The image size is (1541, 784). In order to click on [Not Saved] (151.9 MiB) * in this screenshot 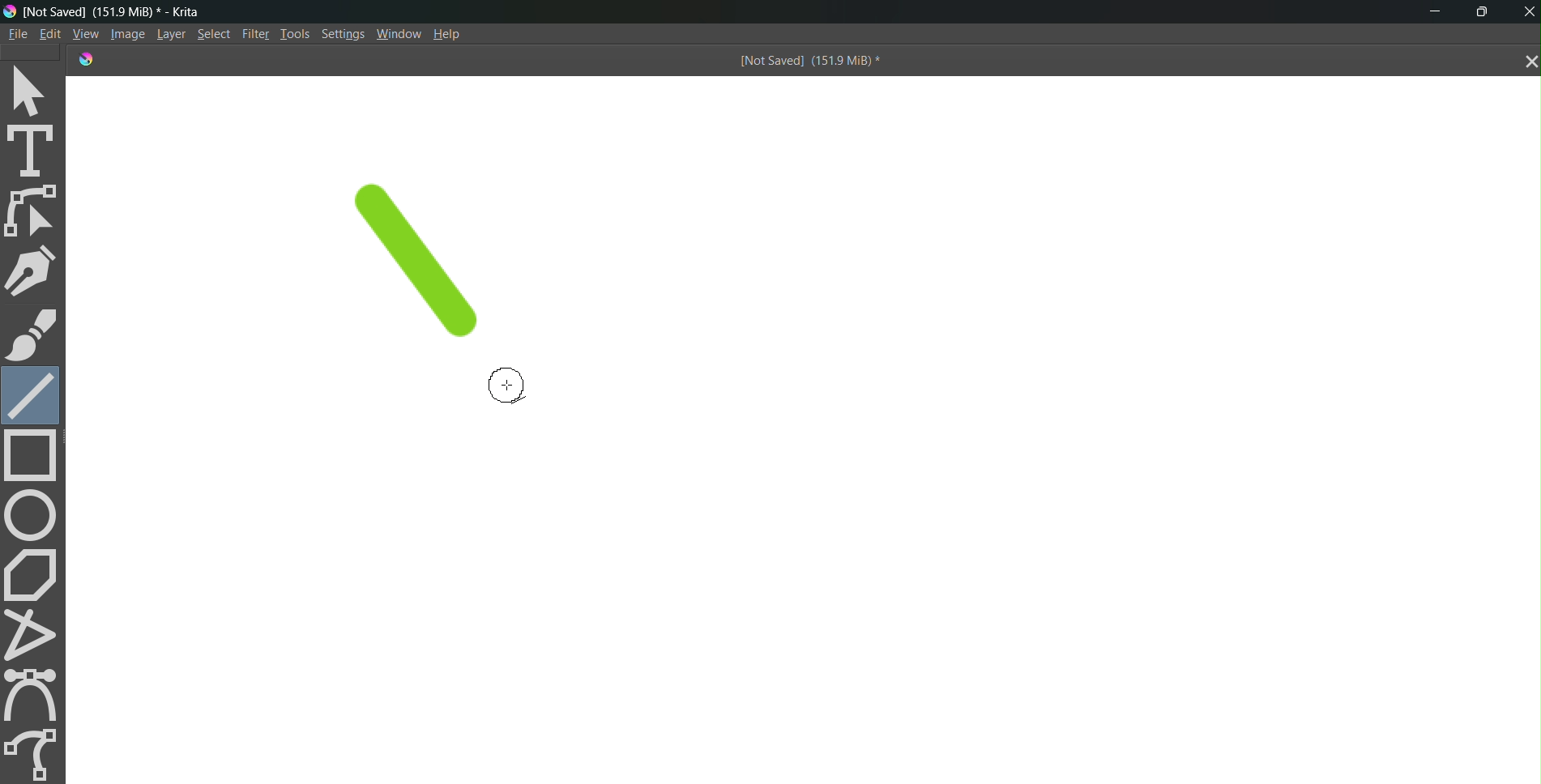, I will do `click(807, 62)`.